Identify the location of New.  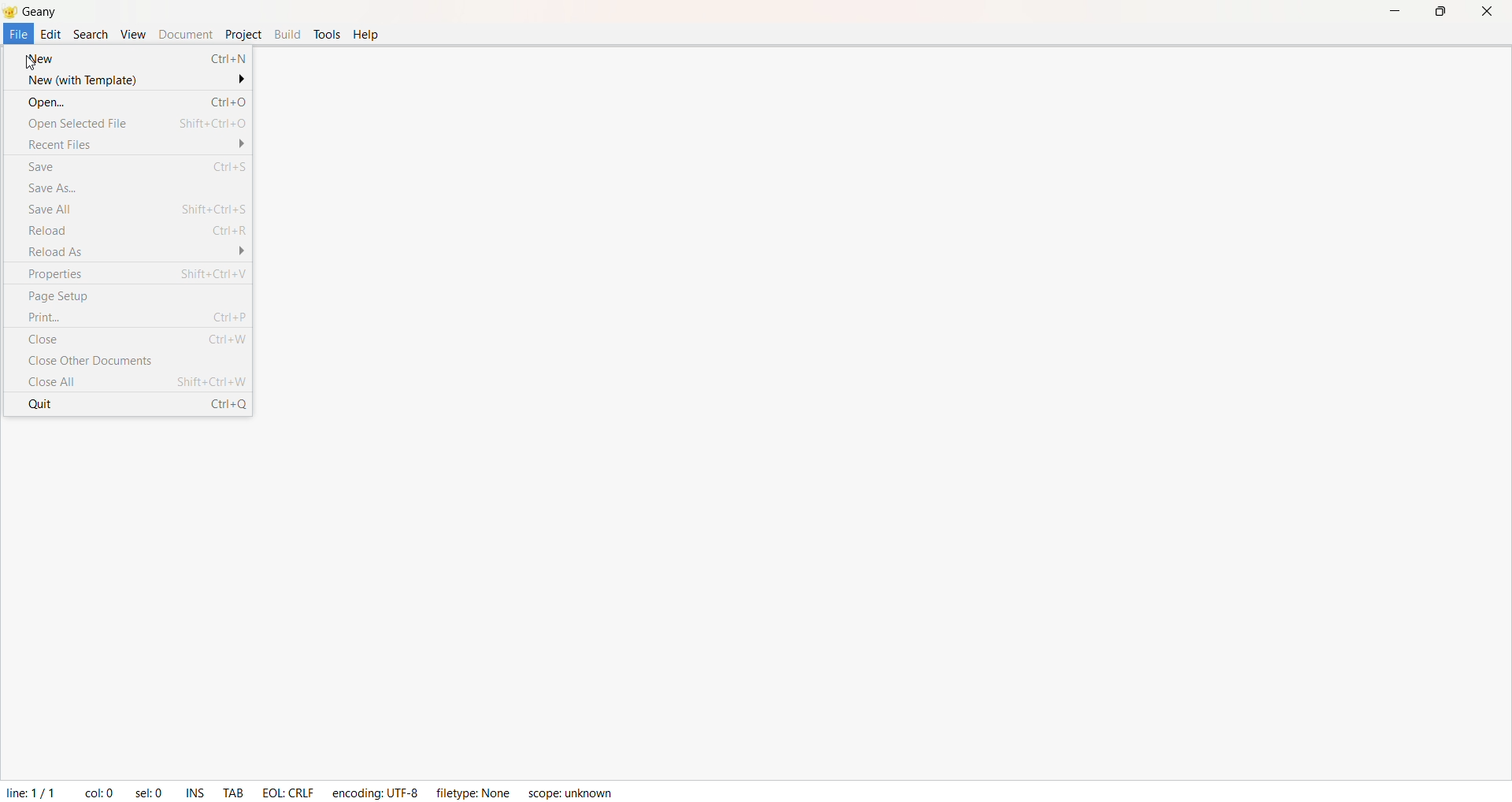
(137, 63).